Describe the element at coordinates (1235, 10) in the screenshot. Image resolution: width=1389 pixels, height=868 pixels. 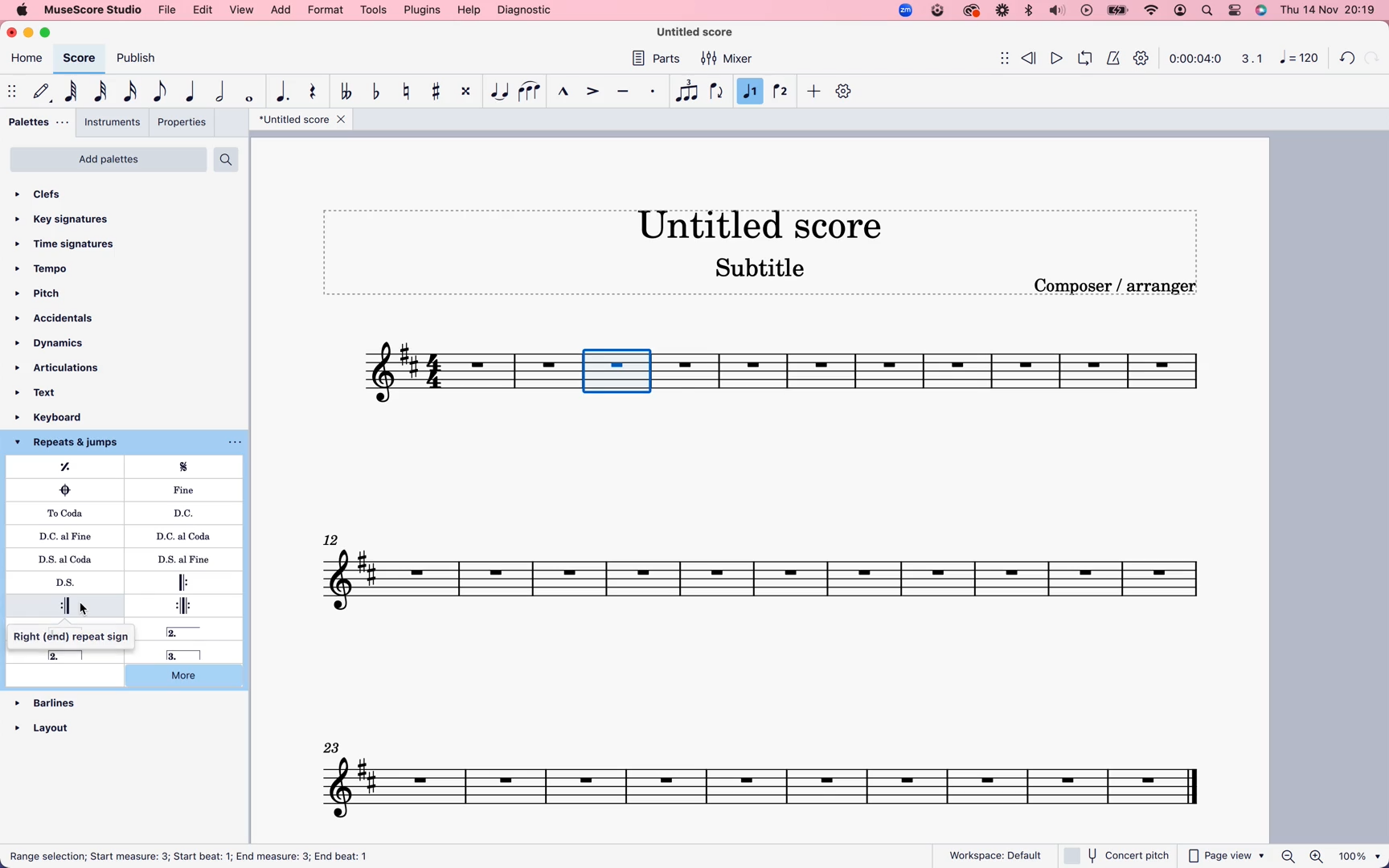
I see `settings` at that location.